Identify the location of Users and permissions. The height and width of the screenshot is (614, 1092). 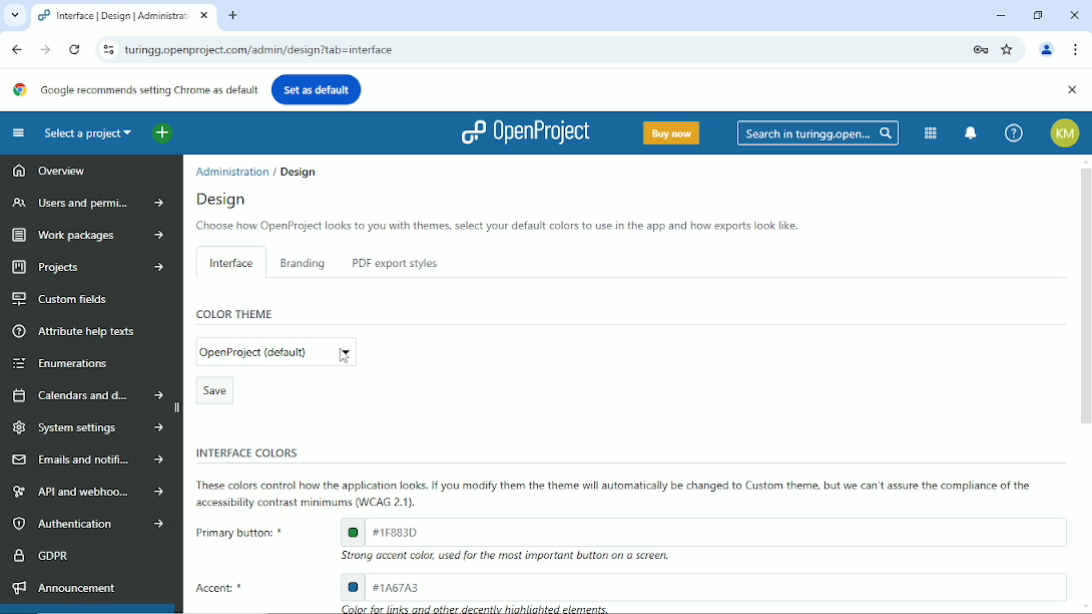
(84, 204).